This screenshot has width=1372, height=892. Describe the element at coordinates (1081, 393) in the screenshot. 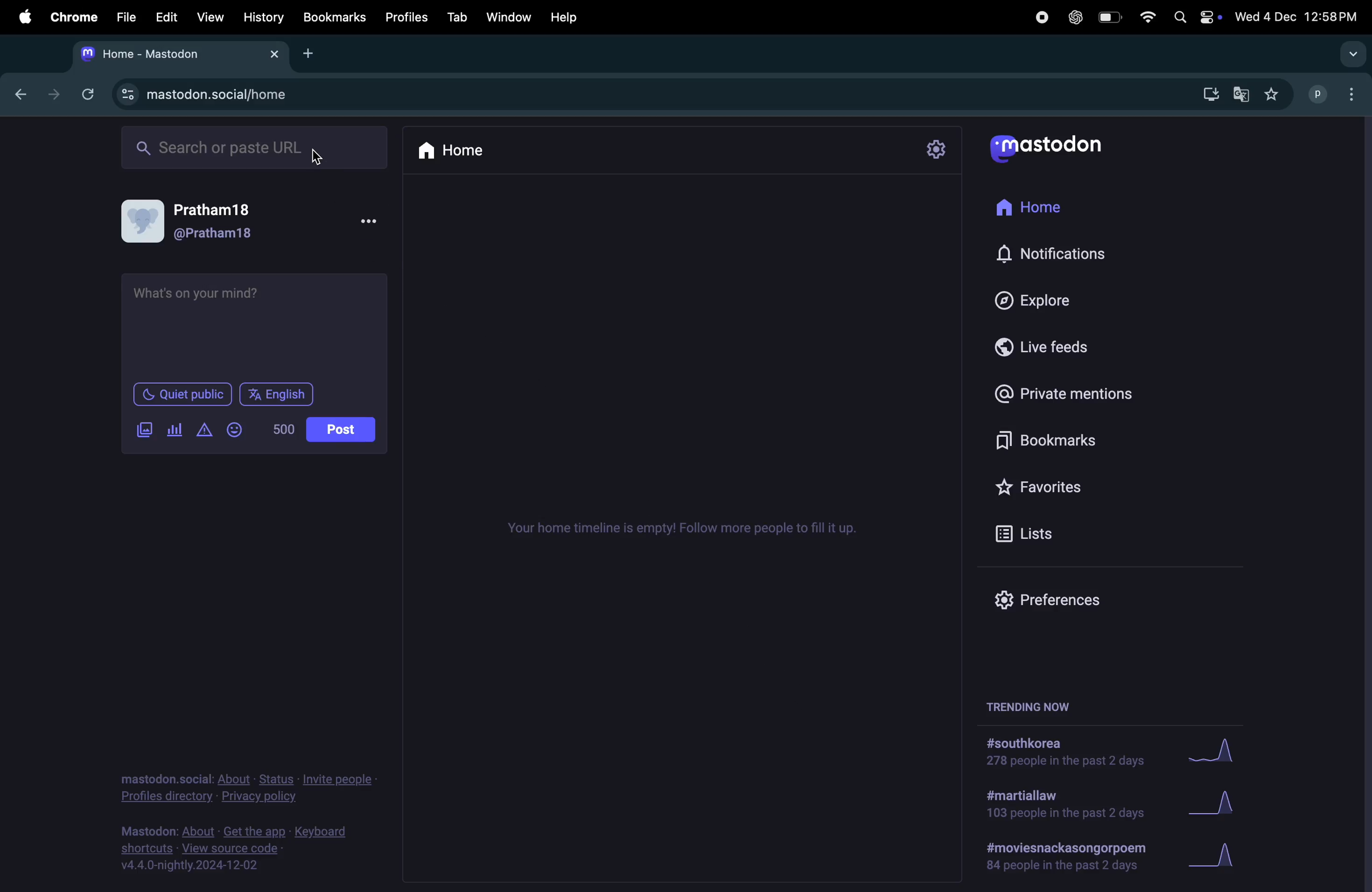

I see `private mentions` at that location.